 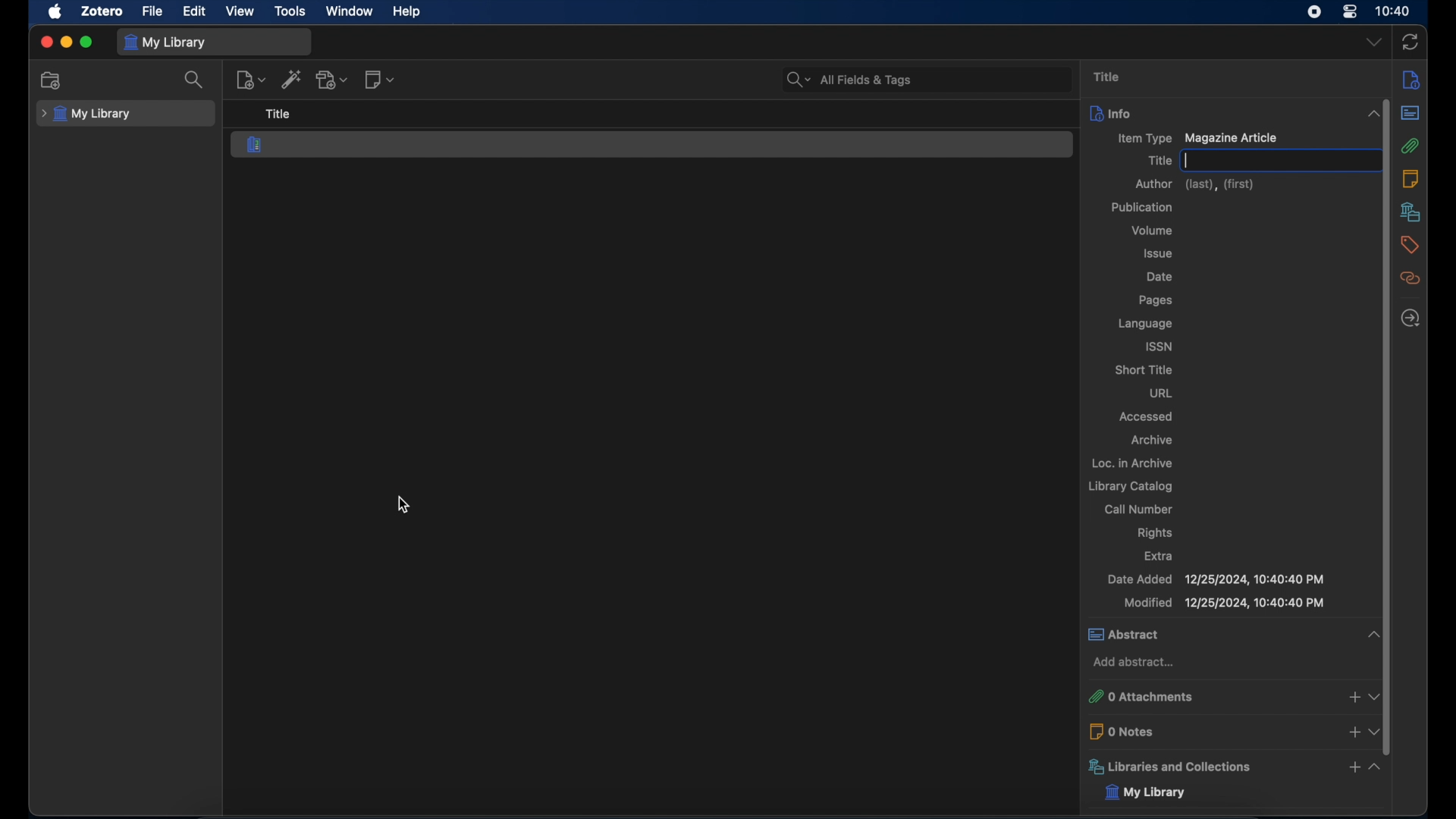 What do you see at coordinates (292, 79) in the screenshot?
I see `add item by identifier` at bounding box center [292, 79].